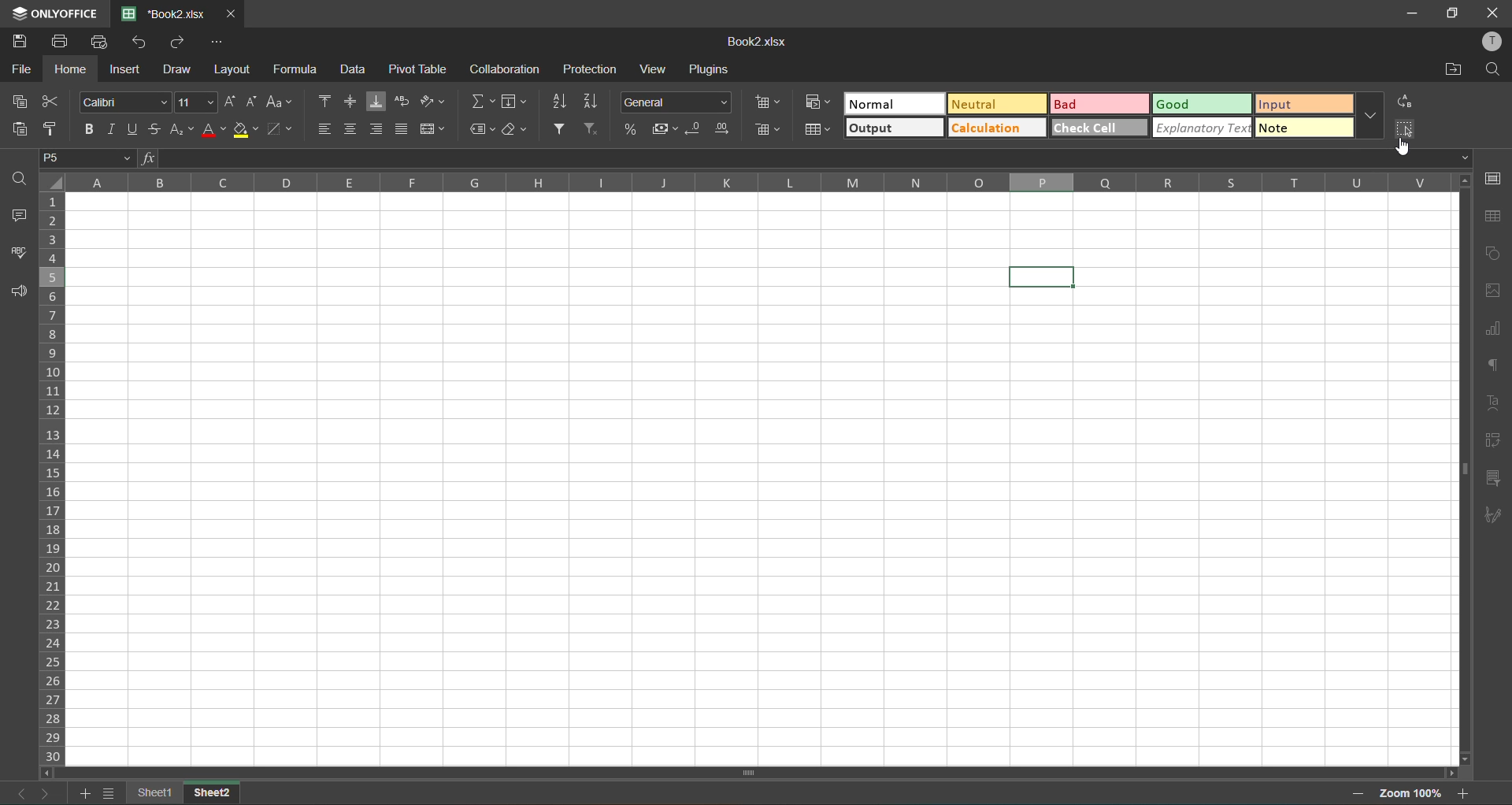 The width and height of the screenshot is (1512, 805). What do you see at coordinates (113, 795) in the screenshot?
I see `sheet list` at bounding box center [113, 795].